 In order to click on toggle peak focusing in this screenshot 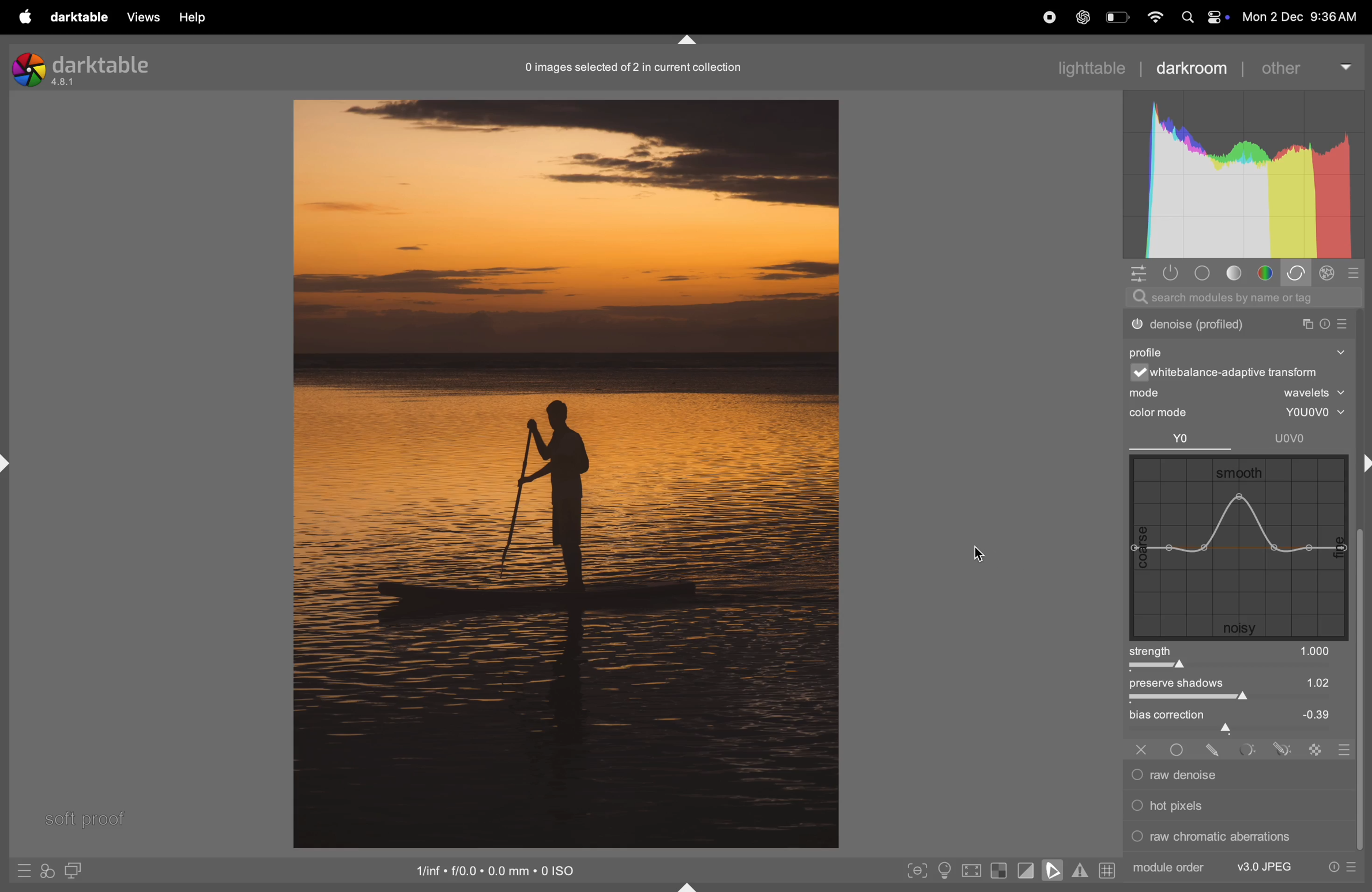, I will do `click(917, 870)`.